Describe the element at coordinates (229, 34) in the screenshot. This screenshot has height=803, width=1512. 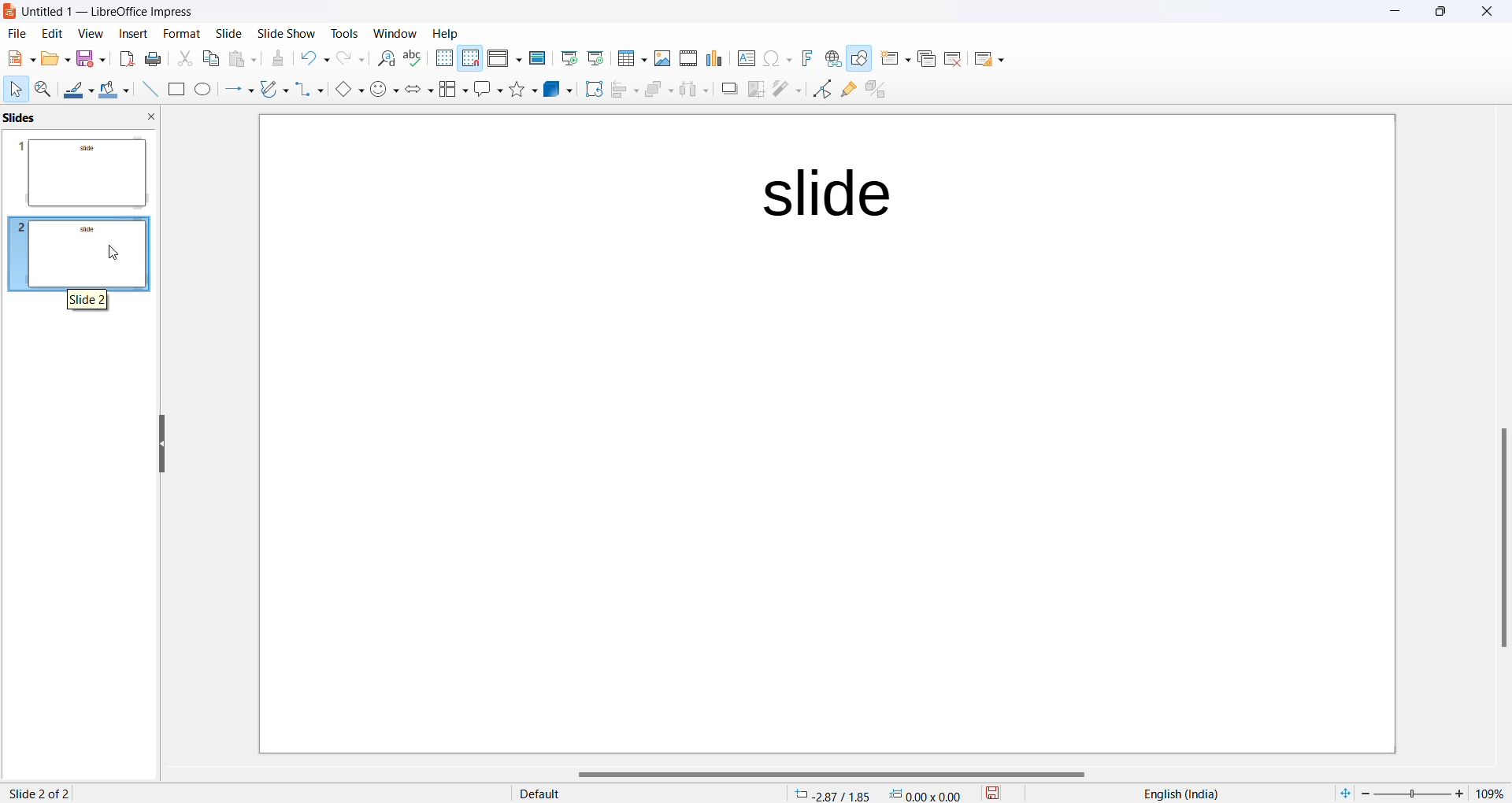
I see `Slide` at that location.